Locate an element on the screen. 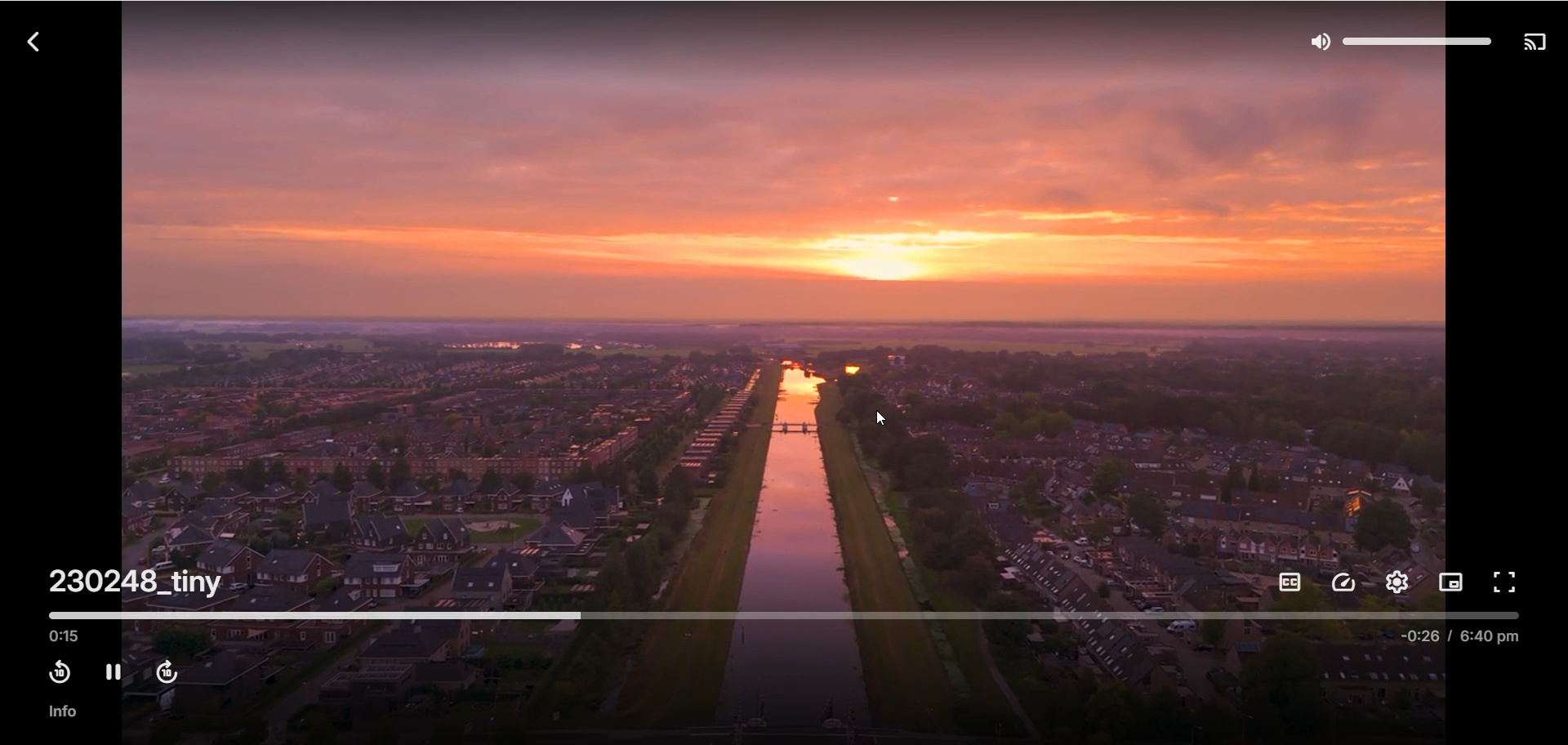 This screenshot has height=745, width=1568. -0:26/6:40 pm is located at coordinates (1459, 641).